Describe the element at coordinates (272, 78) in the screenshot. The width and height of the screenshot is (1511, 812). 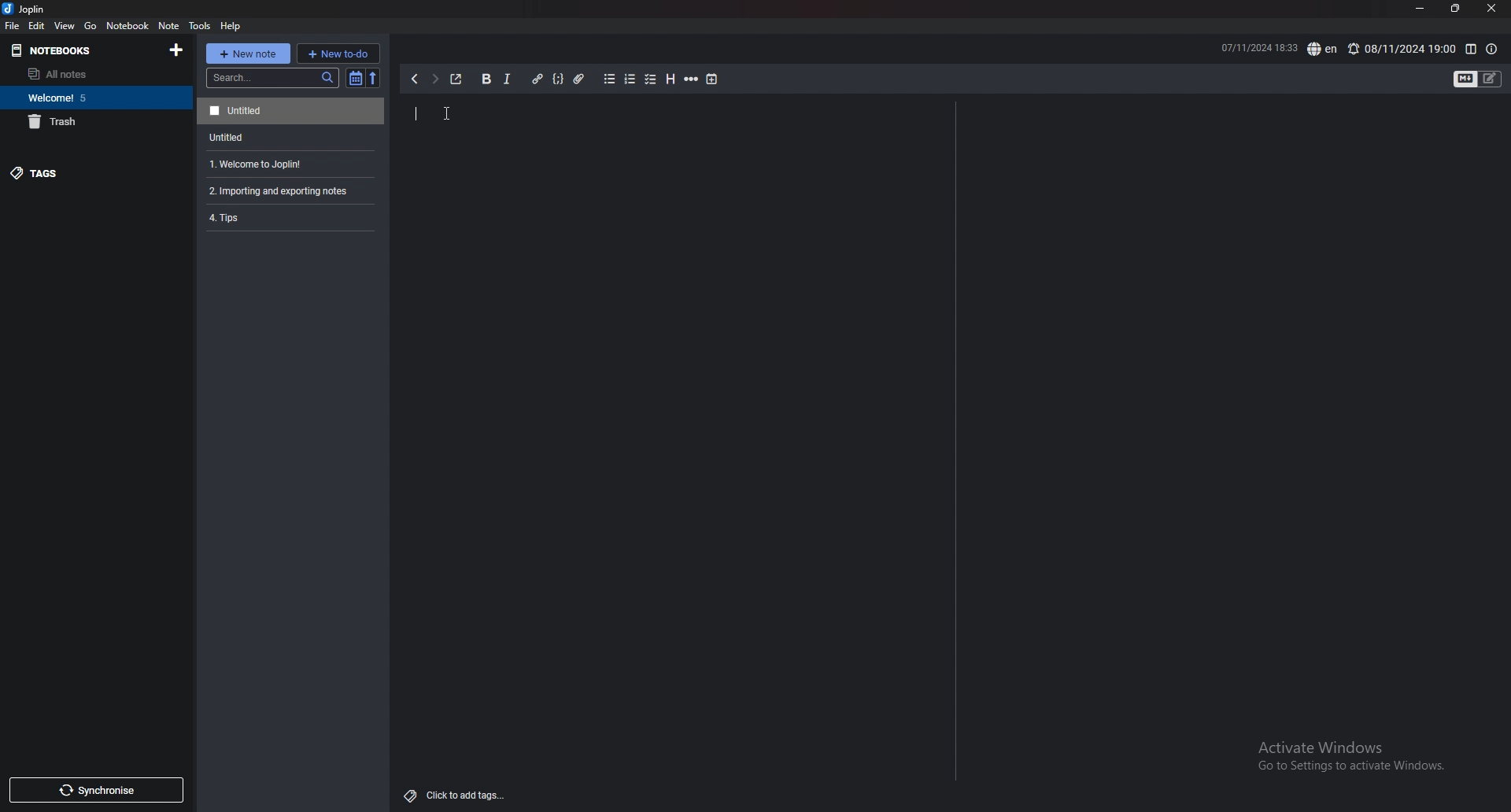
I see `search bar` at that location.